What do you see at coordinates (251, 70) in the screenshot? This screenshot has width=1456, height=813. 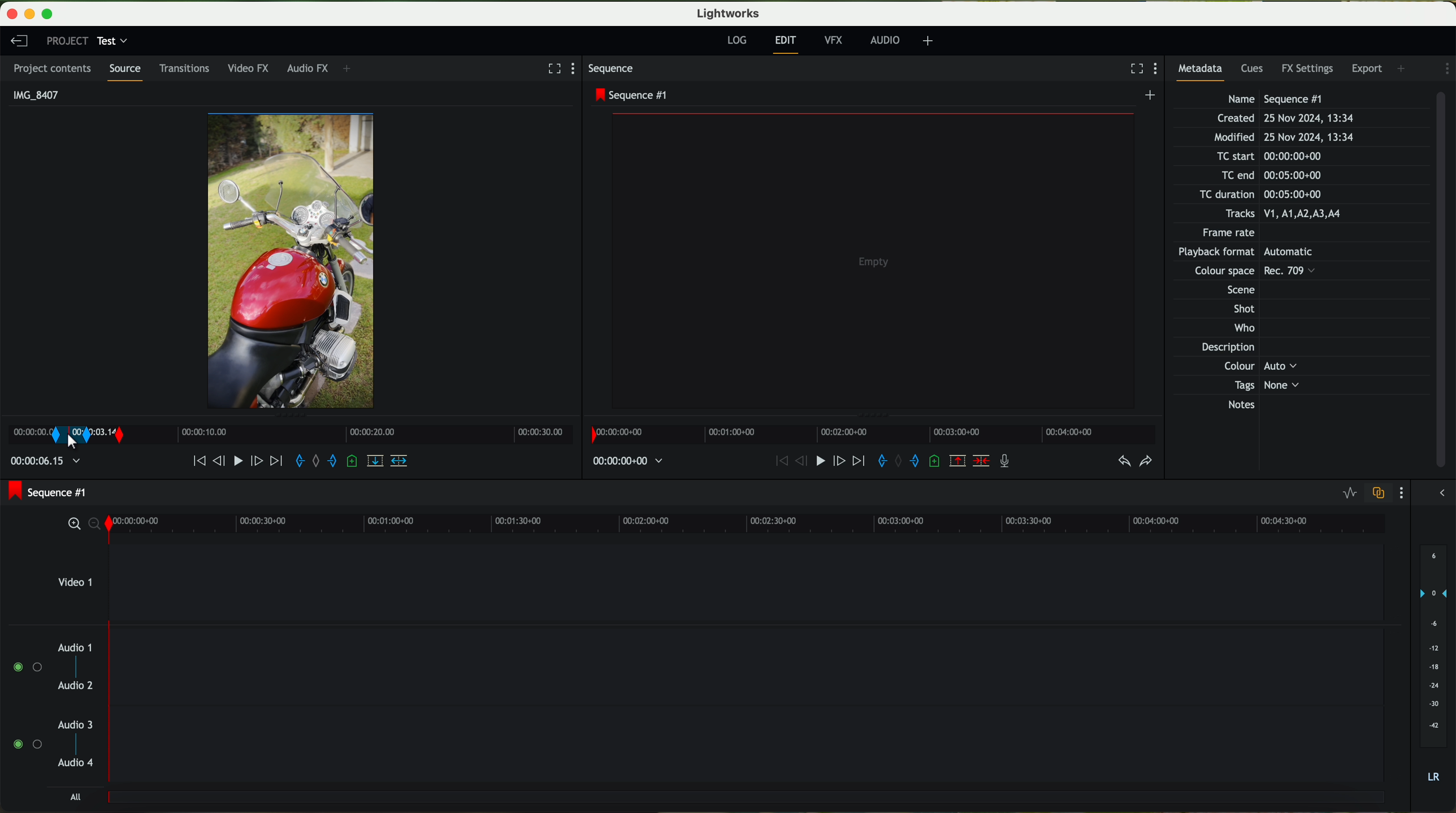 I see `video FX` at bounding box center [251, 70].